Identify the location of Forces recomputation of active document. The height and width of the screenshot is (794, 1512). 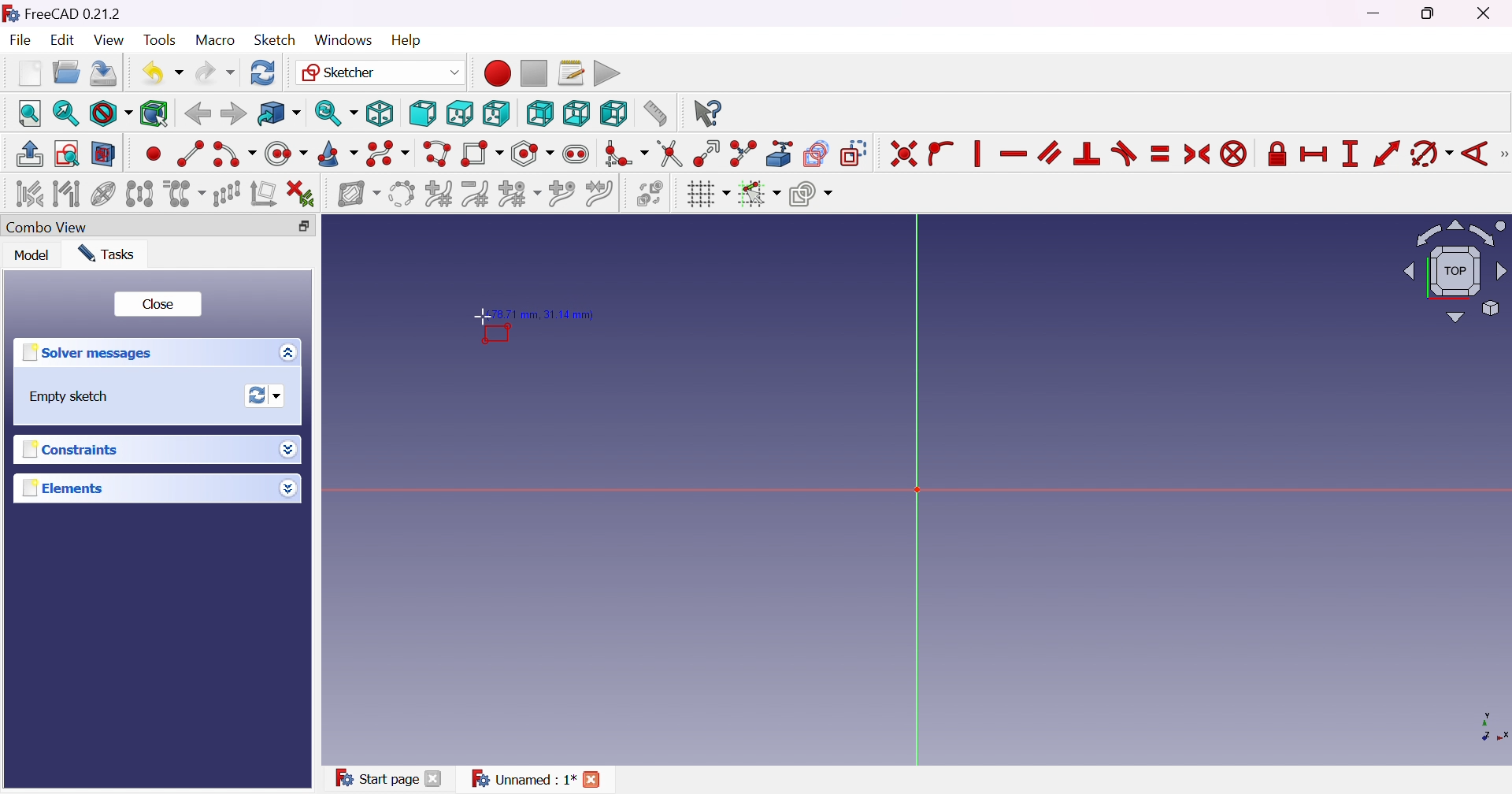
(269, 395).